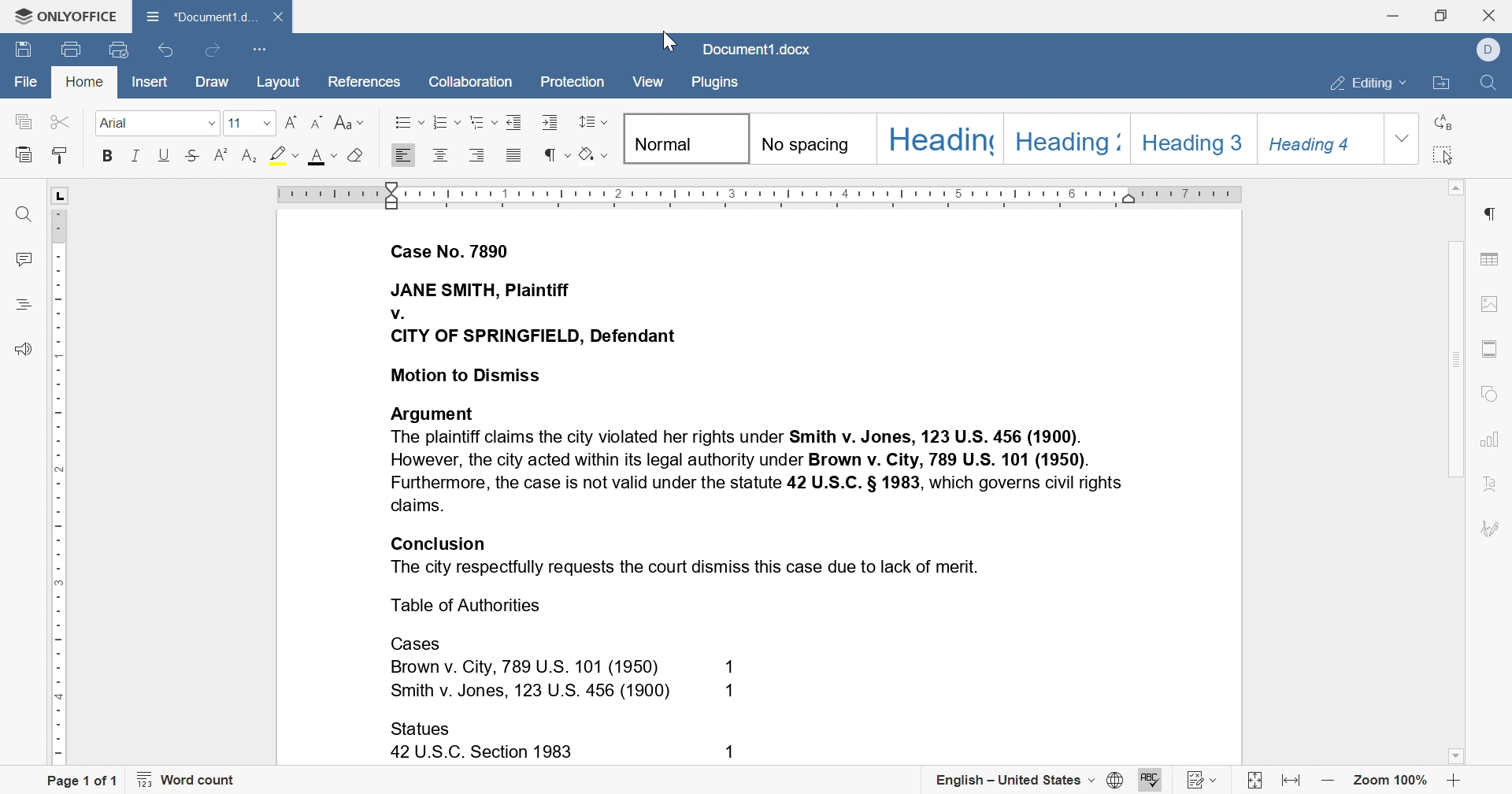 The image size is (1512, 794). What do you see at coordinates (572, 82) in the screenshot?
I see `protection` at bounding box center [572, 82].